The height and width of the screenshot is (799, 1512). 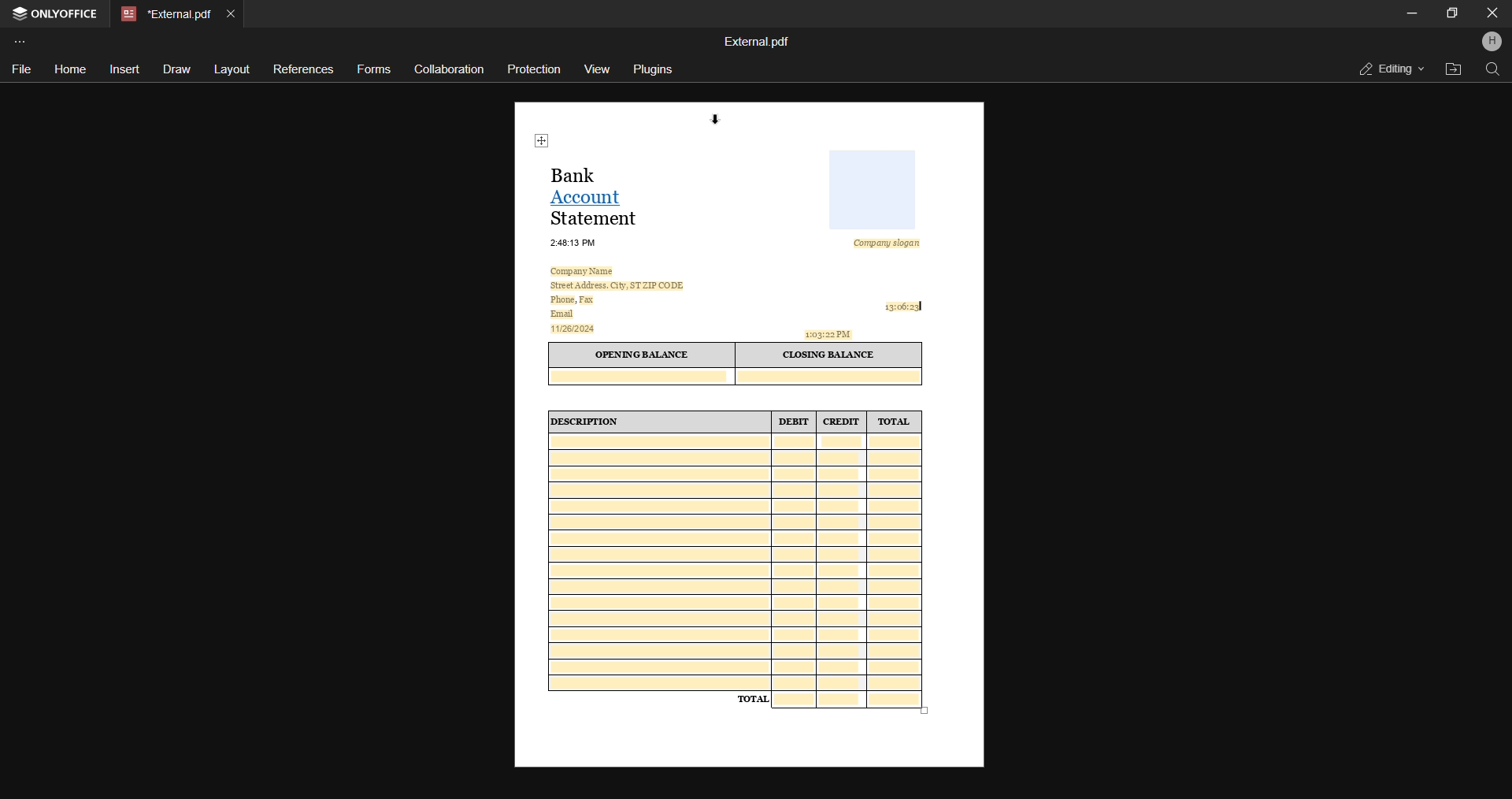 I want to click on home, so click(x=69, y=70).